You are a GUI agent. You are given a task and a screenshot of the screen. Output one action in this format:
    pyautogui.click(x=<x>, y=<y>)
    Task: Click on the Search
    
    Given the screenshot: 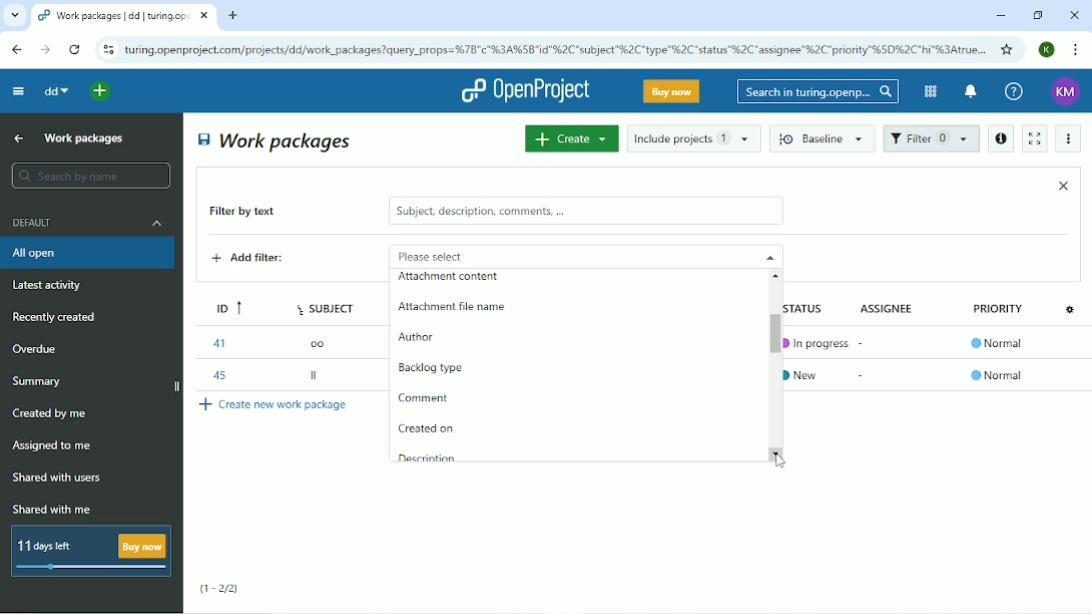 What is the action you would take?
    pyautogui.click(x=818, y=91)
    